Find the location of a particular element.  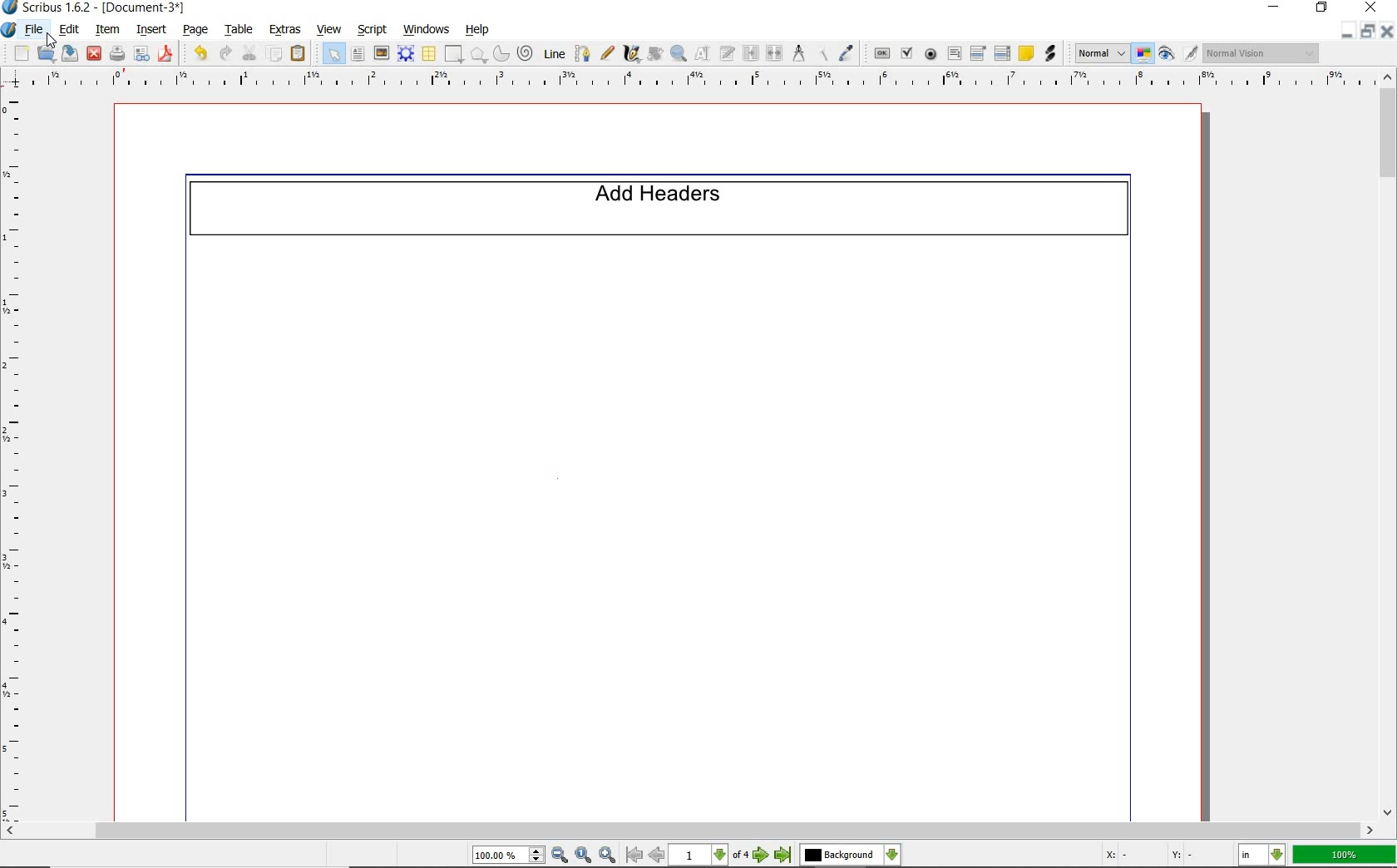

zoom out is located at coordinates (560, 856).